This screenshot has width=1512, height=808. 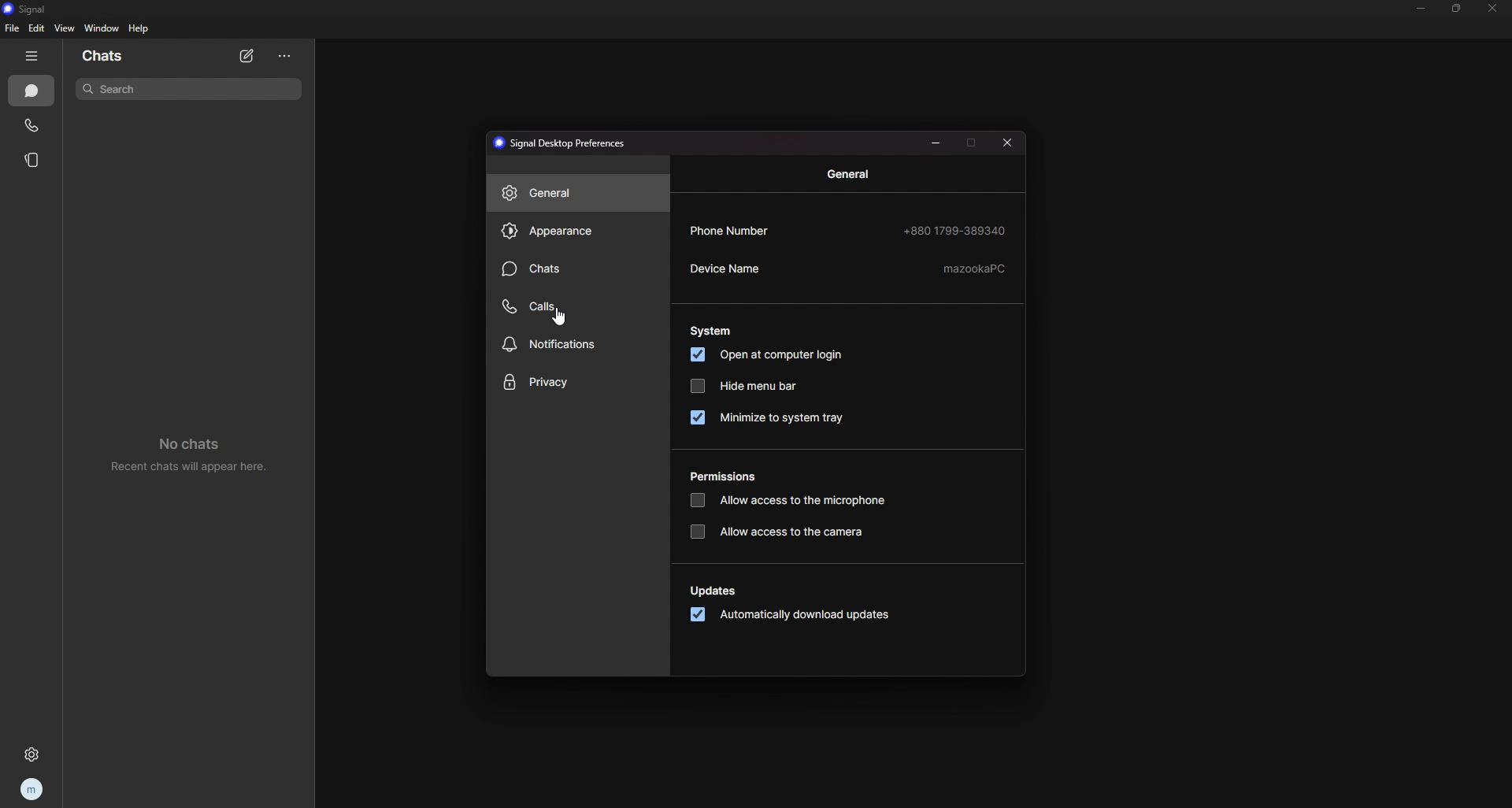 I want to click on updates, so click(x=715, y=591).